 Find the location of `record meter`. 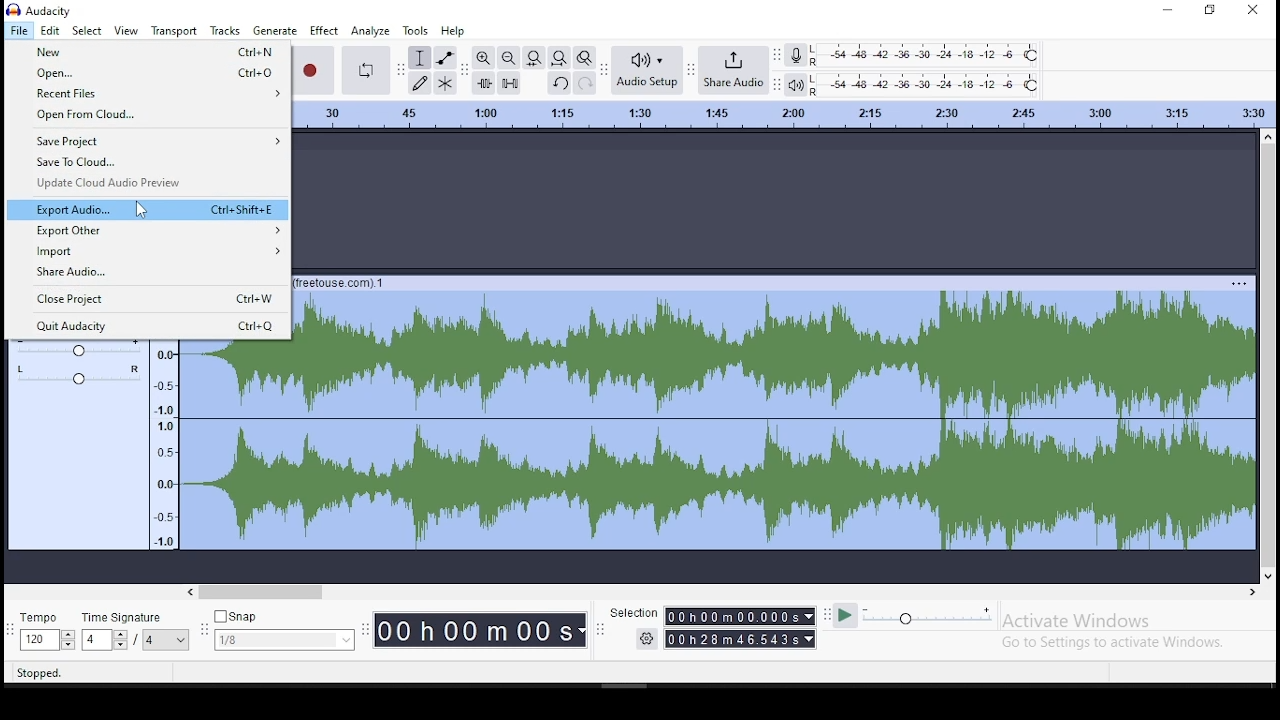

record meter is located at coordinates (796, 55).